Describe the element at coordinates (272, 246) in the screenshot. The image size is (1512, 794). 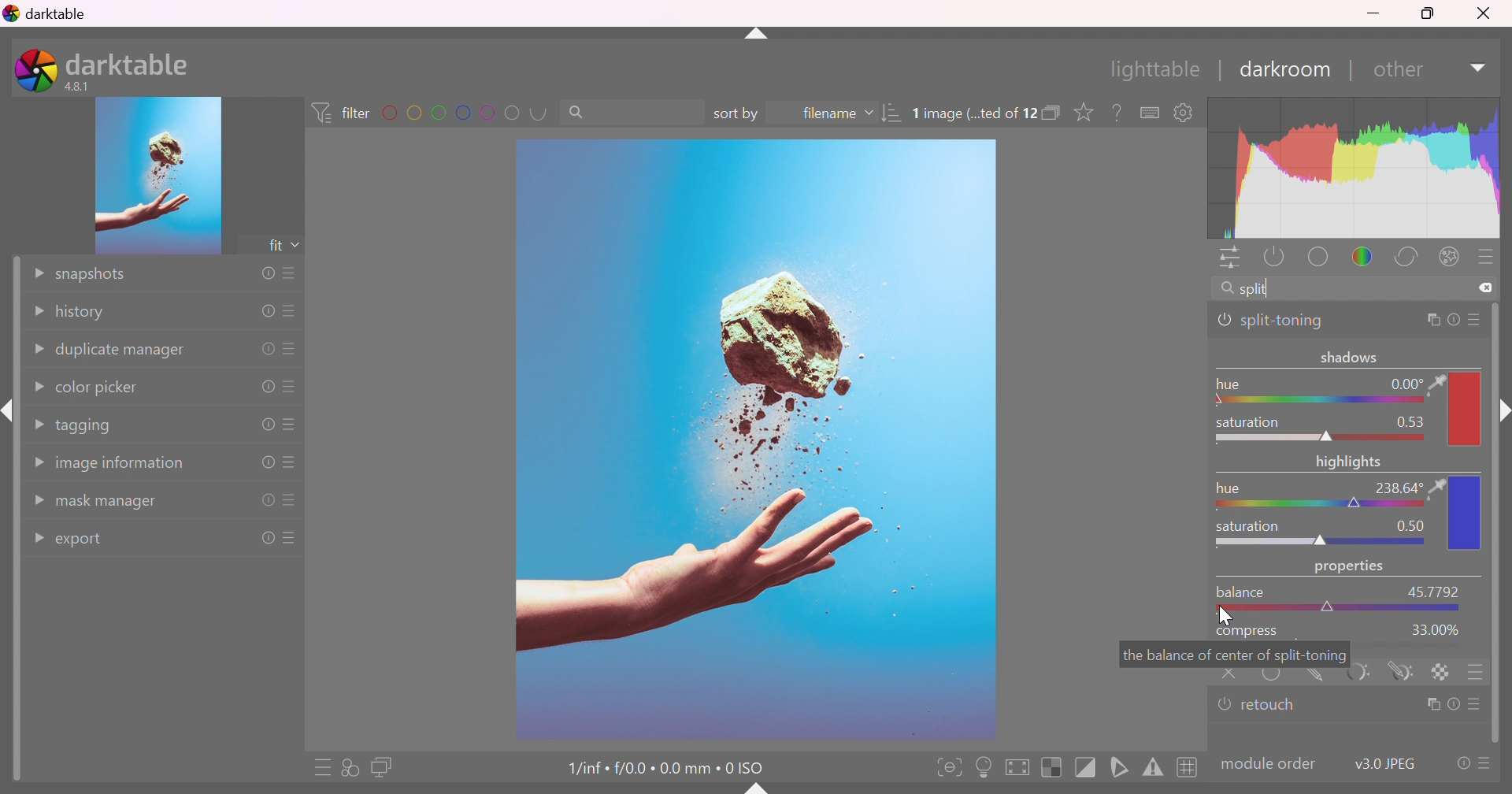
I see `fit` at that location.